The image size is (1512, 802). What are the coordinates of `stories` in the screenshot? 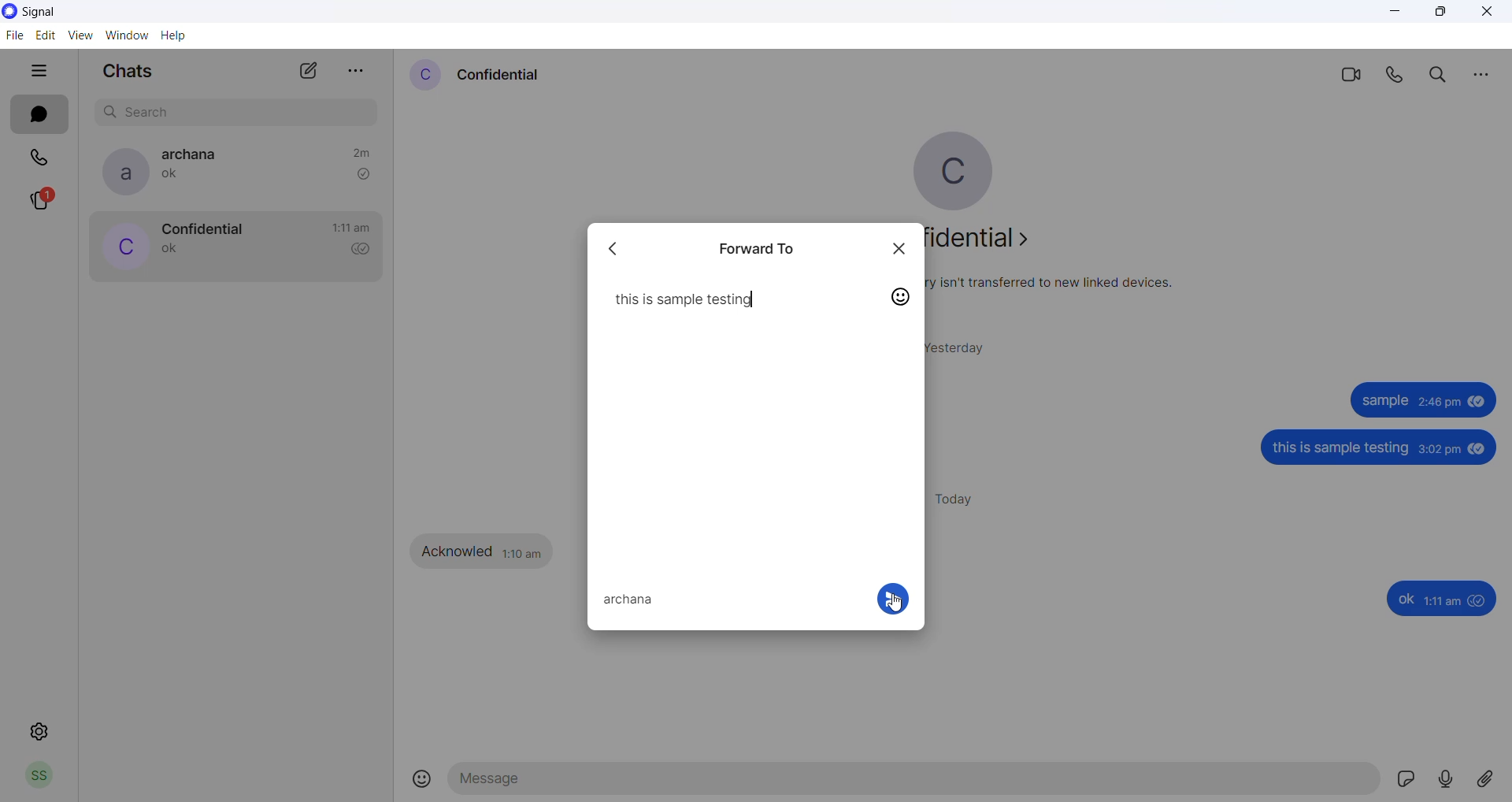 It's located at (50, 201).